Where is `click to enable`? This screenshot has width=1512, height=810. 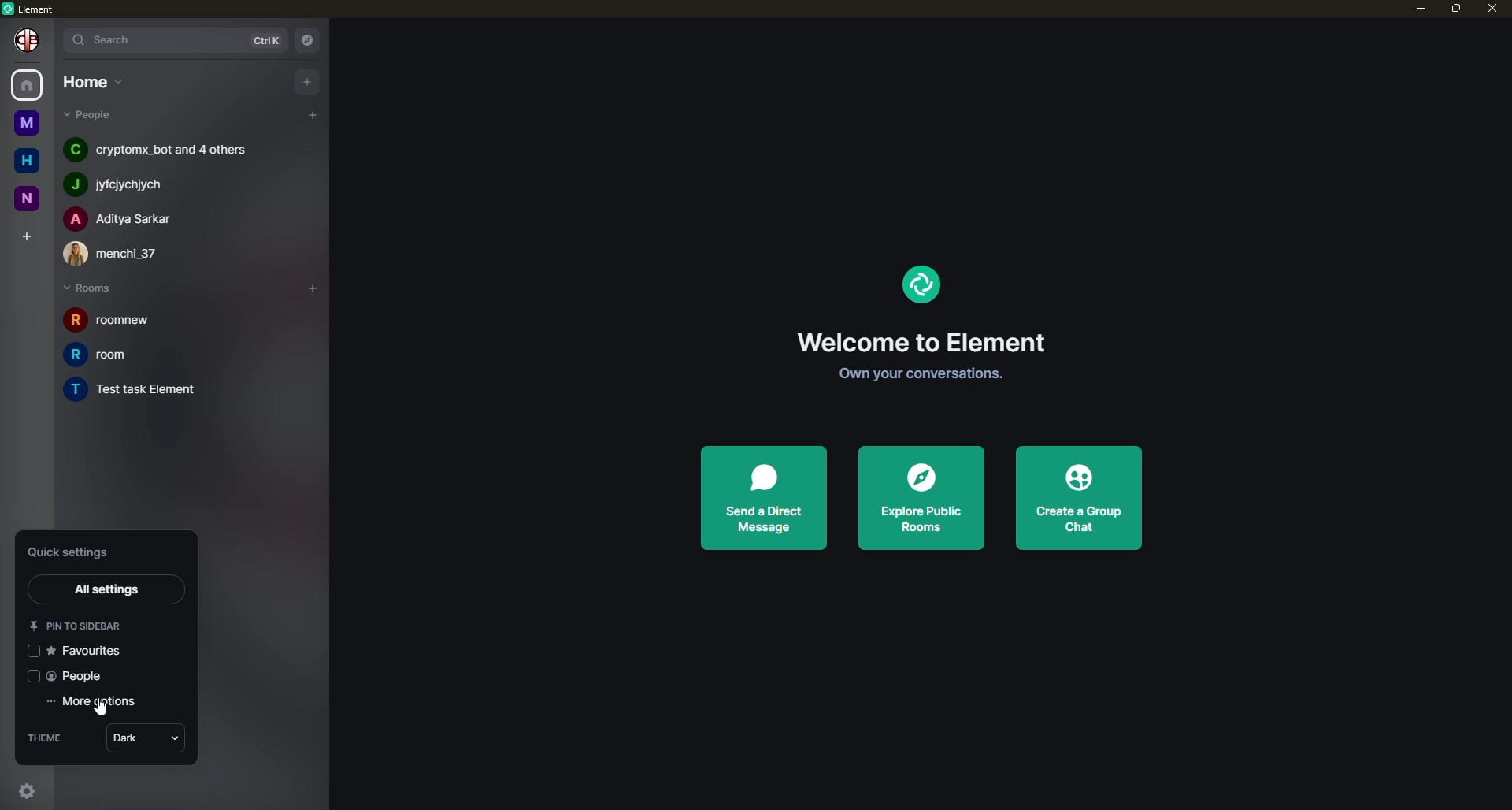 click to enable is located at coordinates (30, 676).